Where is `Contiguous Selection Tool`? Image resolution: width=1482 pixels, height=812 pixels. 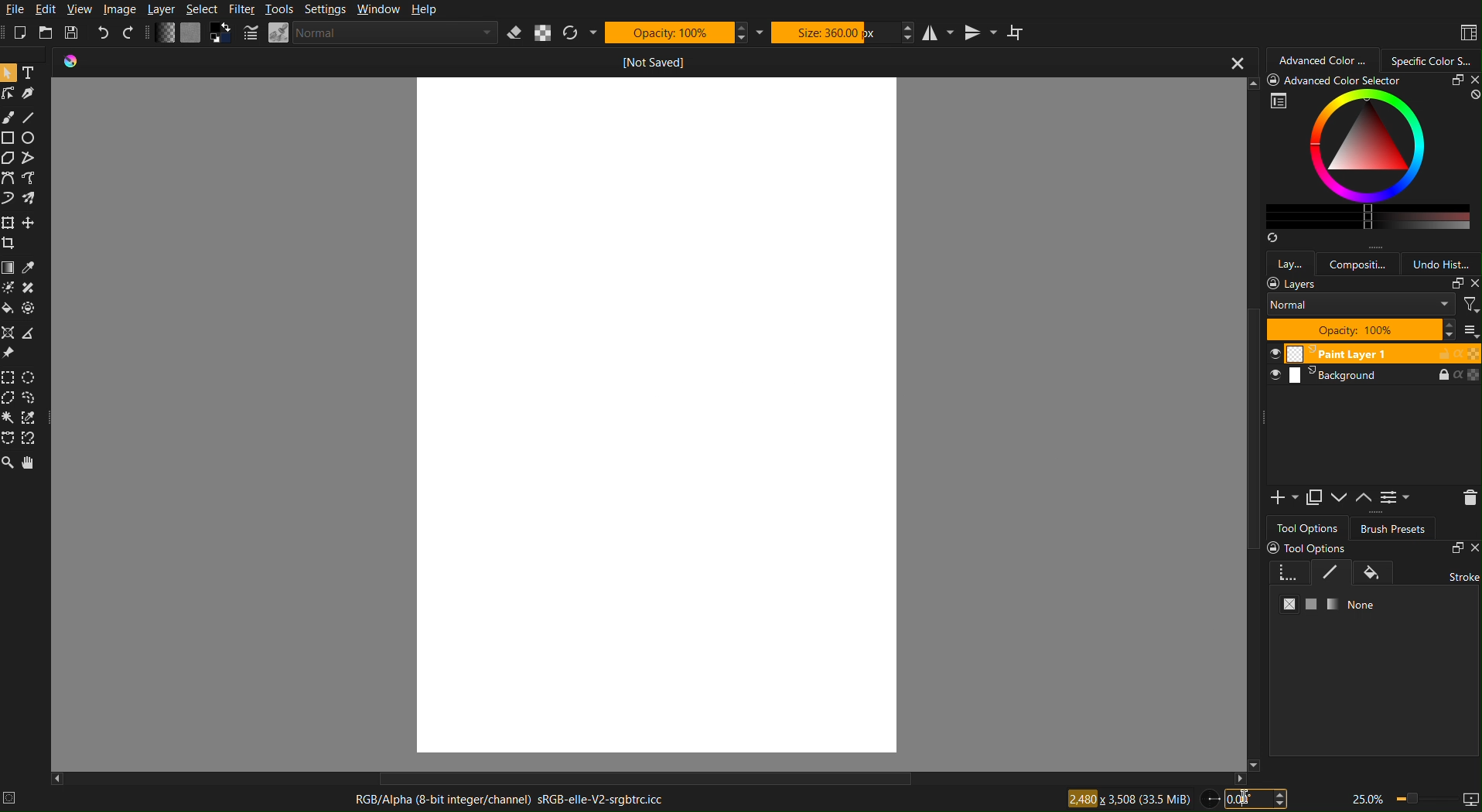 Contiguous Selection Tool is located at coordinates (8, 418).